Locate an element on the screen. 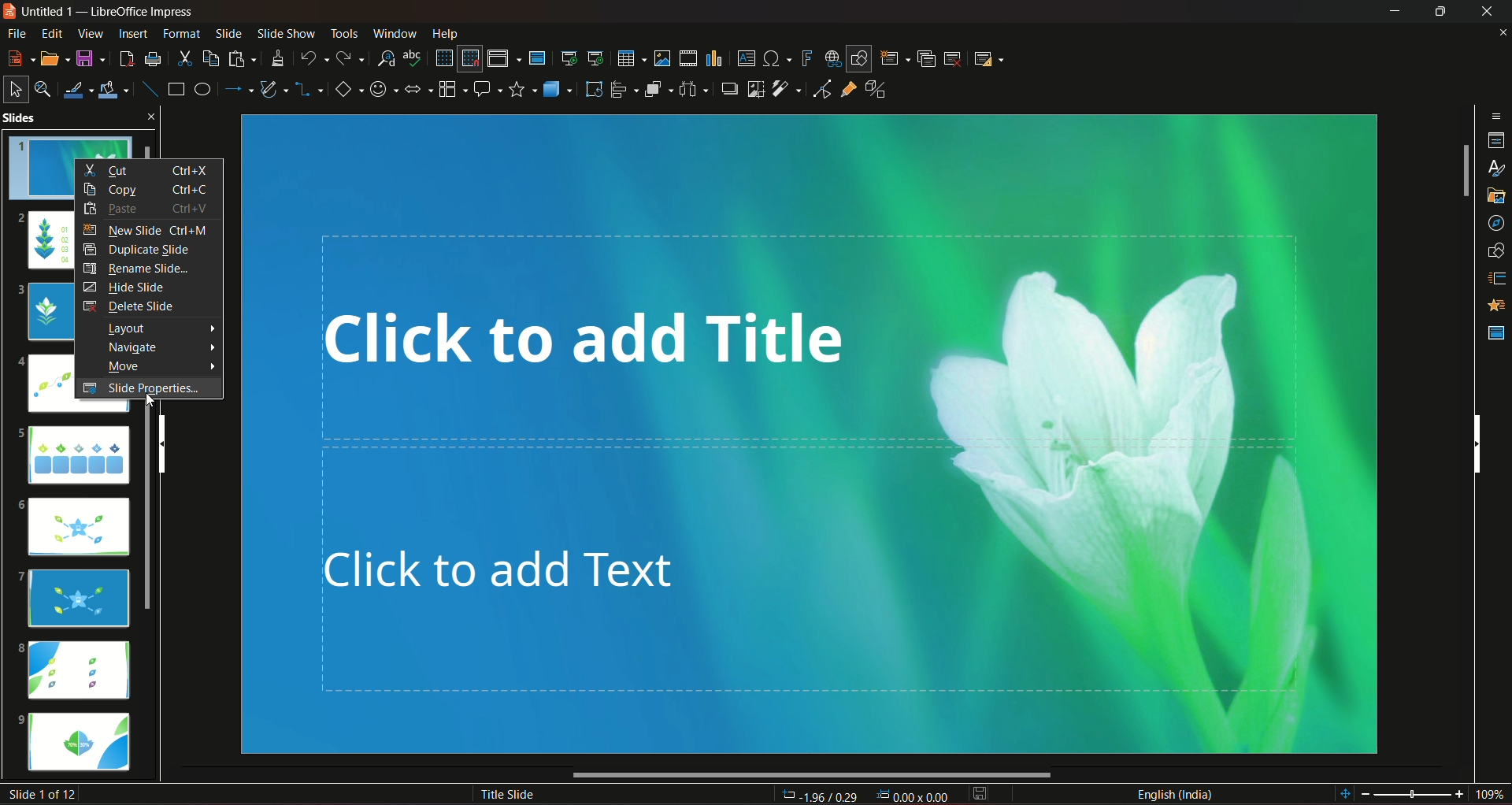 The image size is (1512, 805). line color is located at coordinates (80, 88).